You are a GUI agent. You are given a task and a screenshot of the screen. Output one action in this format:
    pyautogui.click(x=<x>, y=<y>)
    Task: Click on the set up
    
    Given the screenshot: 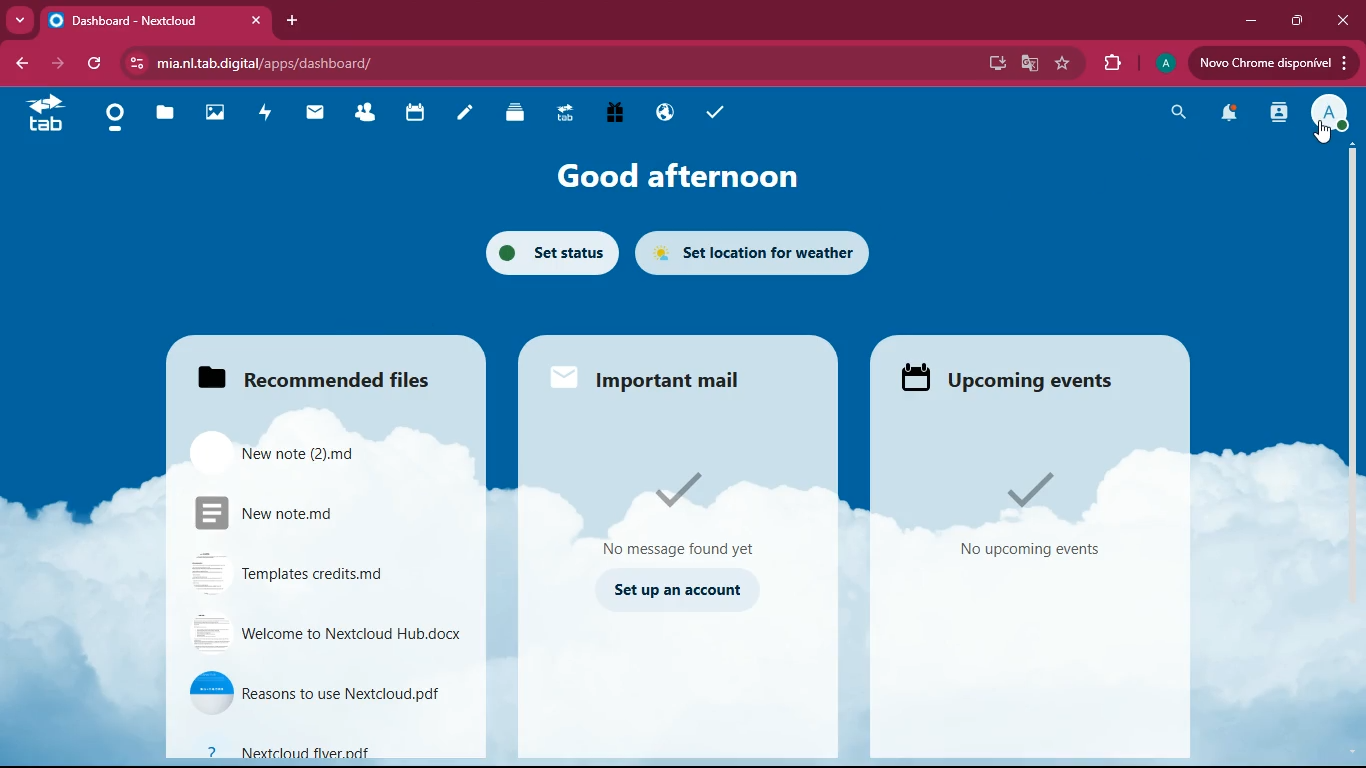 What is the action you would take?
    pyautogui.click(x=678, y=591)
    